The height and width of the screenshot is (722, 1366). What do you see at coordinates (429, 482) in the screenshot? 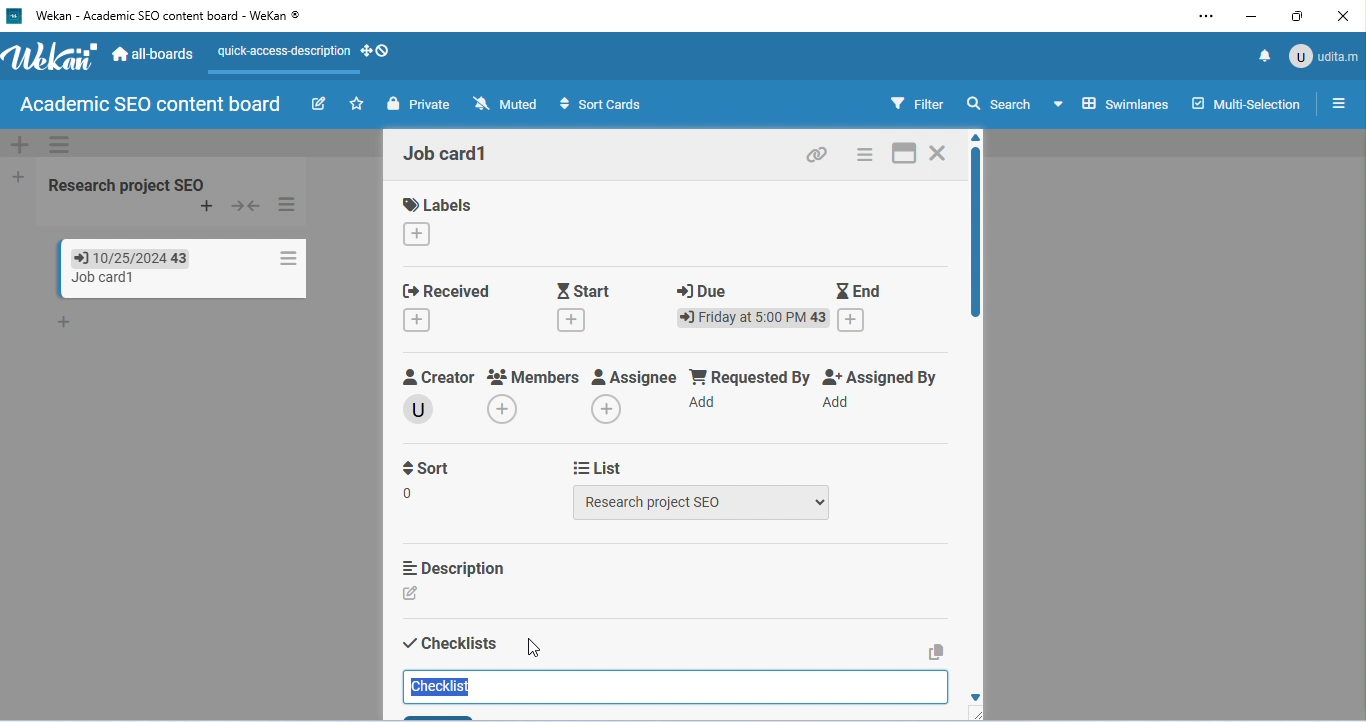
I see `sort` at bounding box center [429, 482].